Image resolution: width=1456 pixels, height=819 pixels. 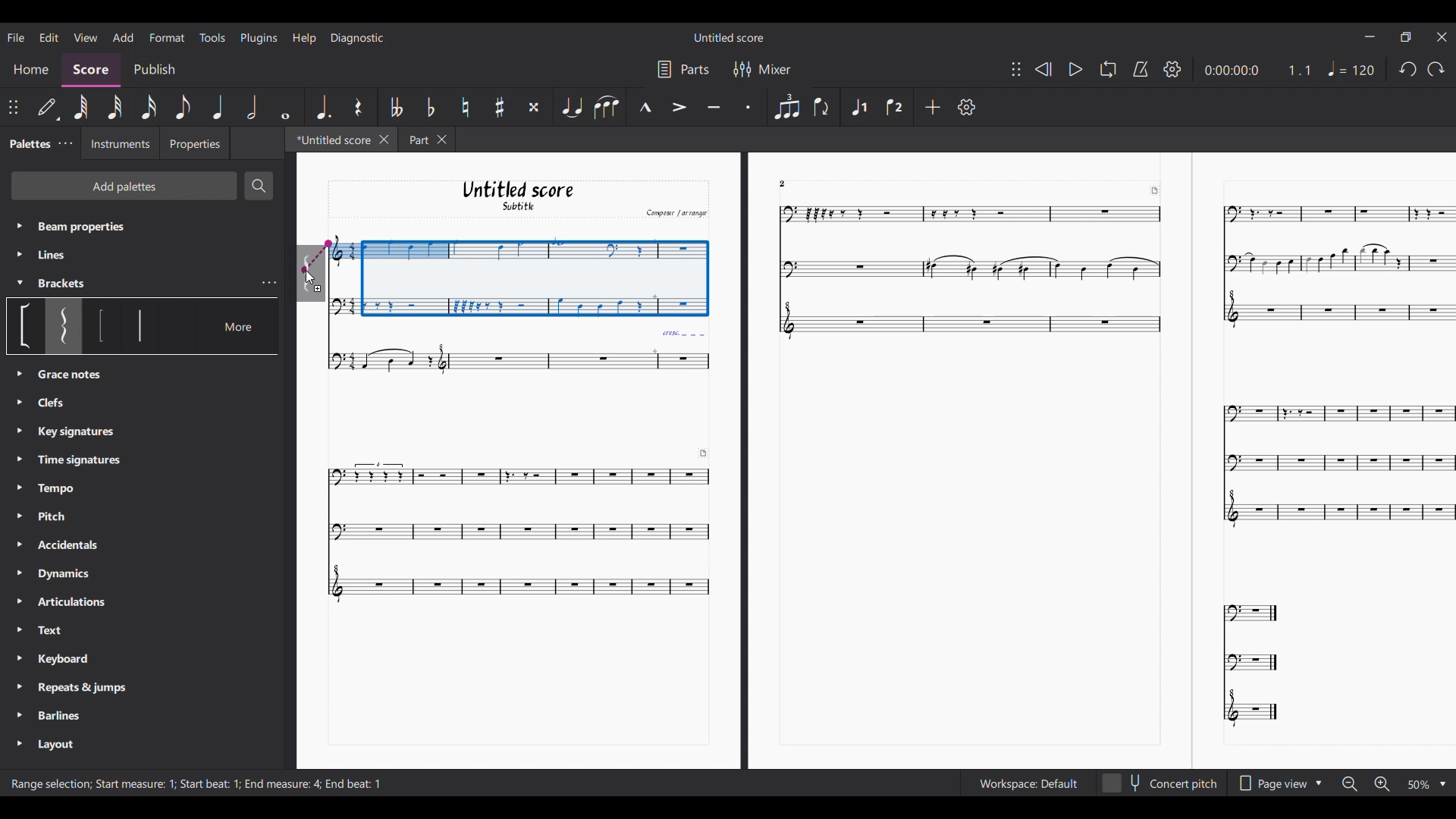 I want to click on , so click(x=1338, y=212).